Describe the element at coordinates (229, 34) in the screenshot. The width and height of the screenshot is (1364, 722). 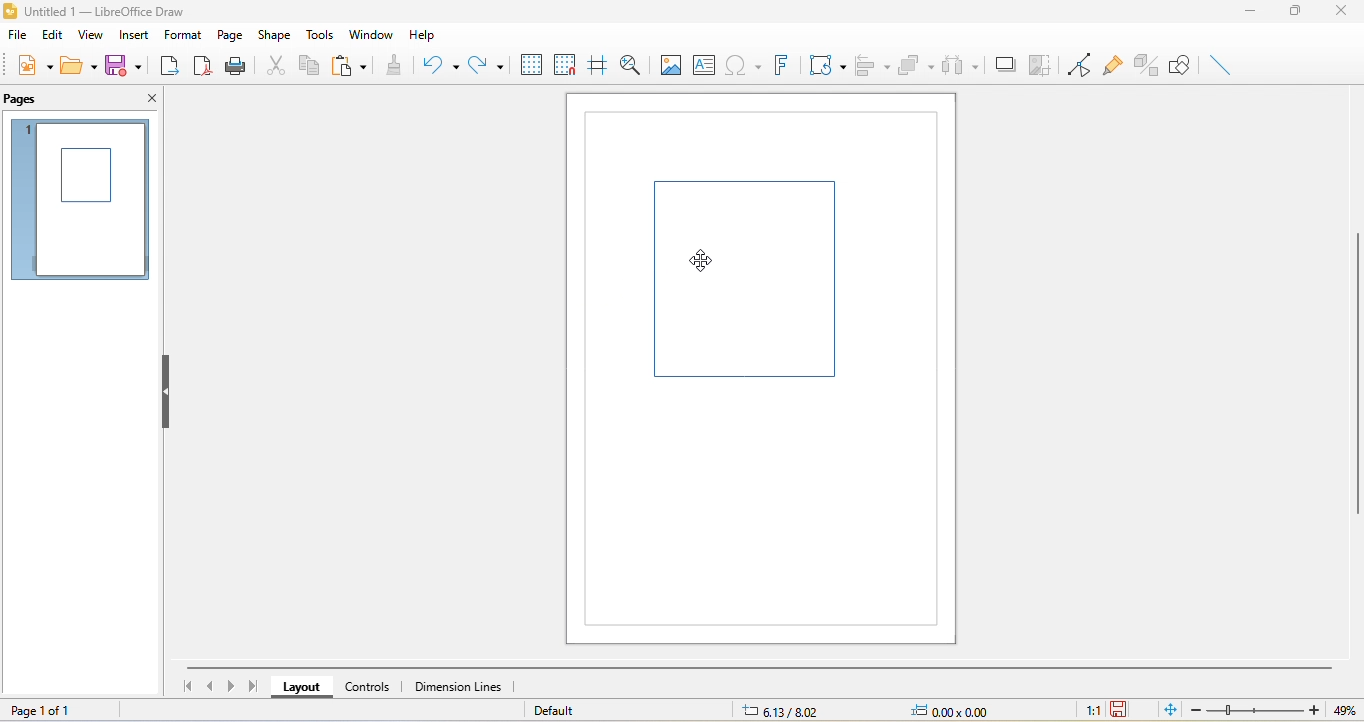
I see `page` at that location.